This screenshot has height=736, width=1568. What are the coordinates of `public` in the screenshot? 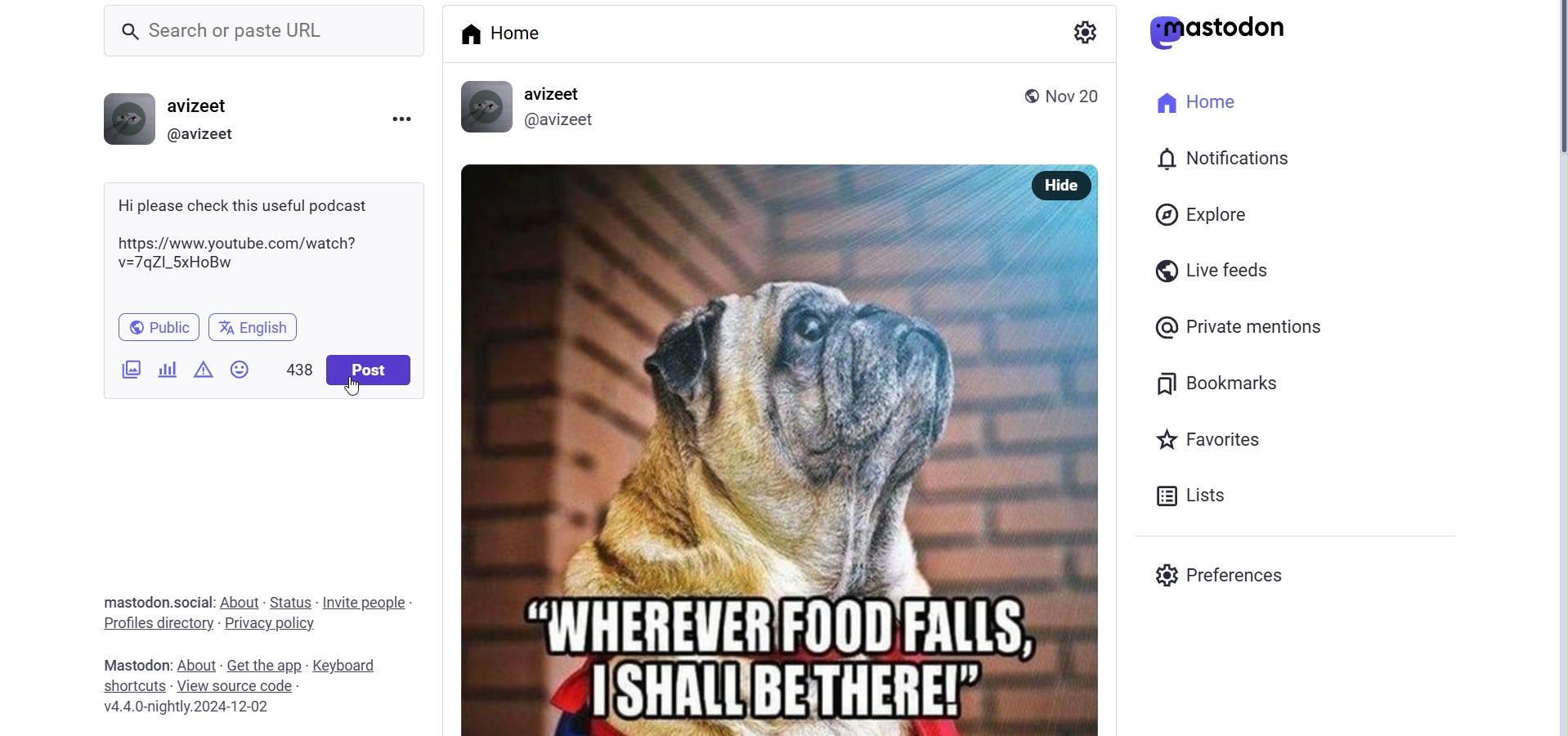 It's located at (155, 326).